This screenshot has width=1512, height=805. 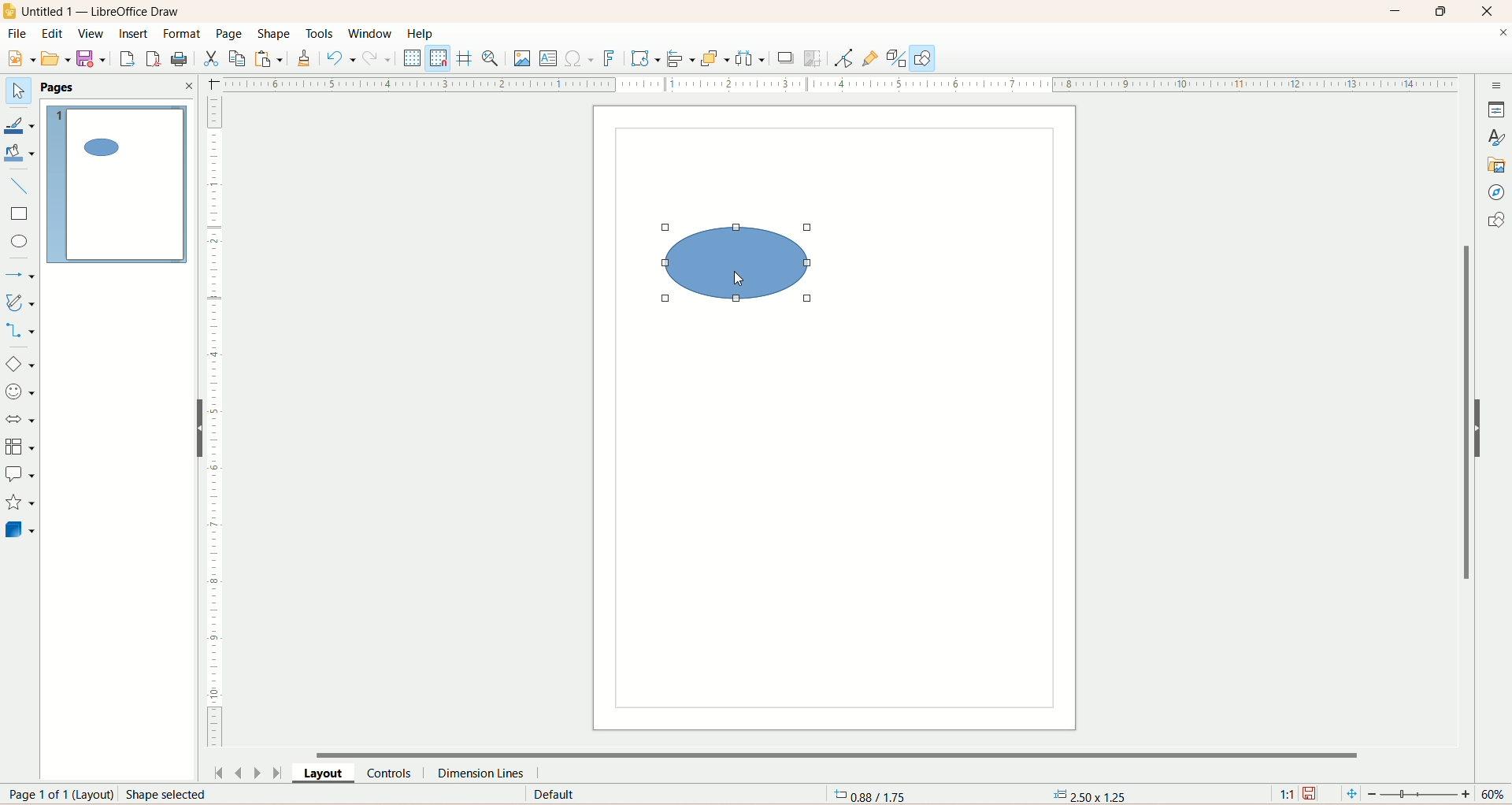 I want to click on style, so click(x=1496, y=135).